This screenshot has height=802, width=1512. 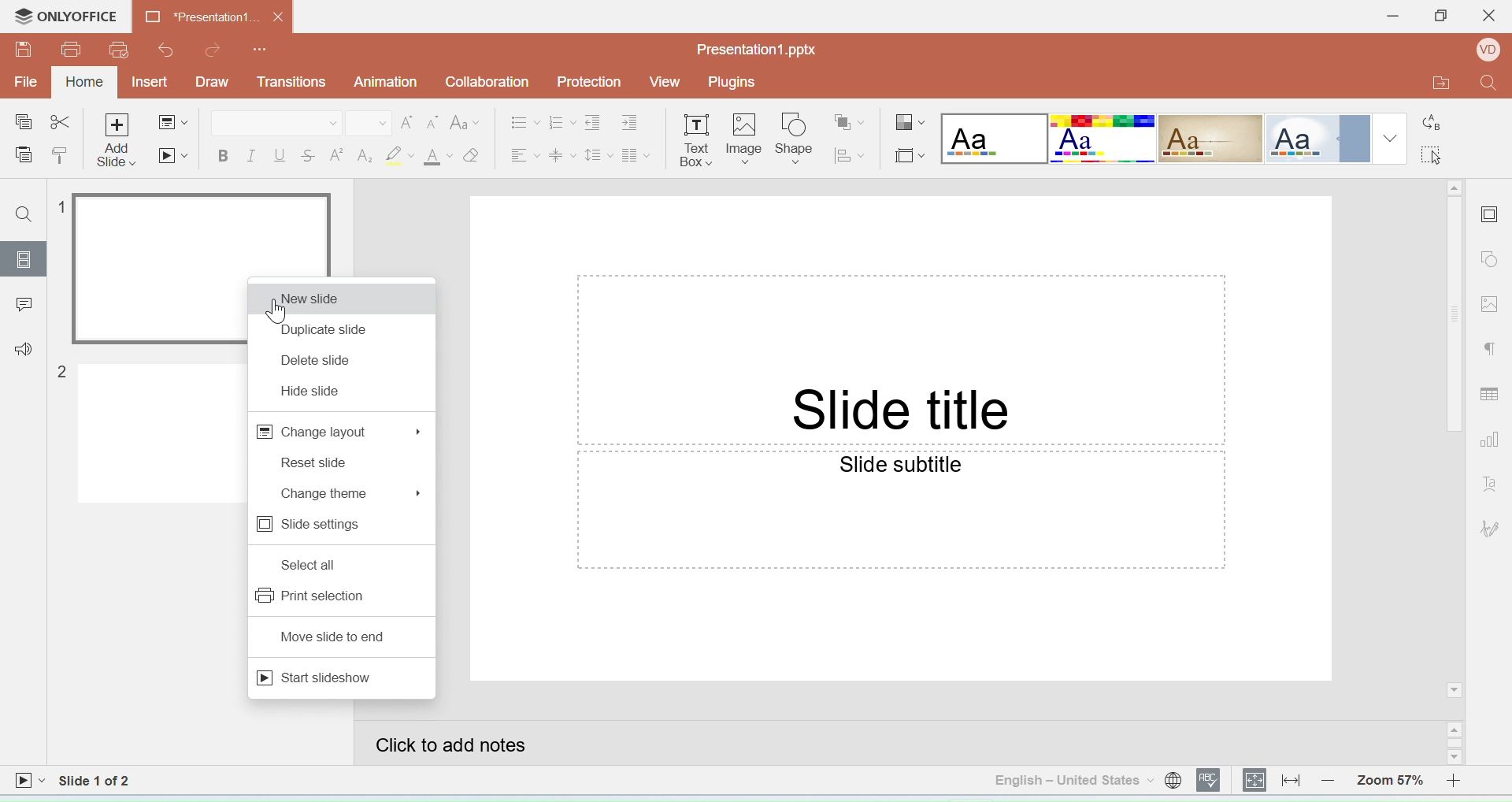 What do you see at coordinates (493, 84) in the screenshot?
I see `Collaboration` at bounding box center [493, 84].